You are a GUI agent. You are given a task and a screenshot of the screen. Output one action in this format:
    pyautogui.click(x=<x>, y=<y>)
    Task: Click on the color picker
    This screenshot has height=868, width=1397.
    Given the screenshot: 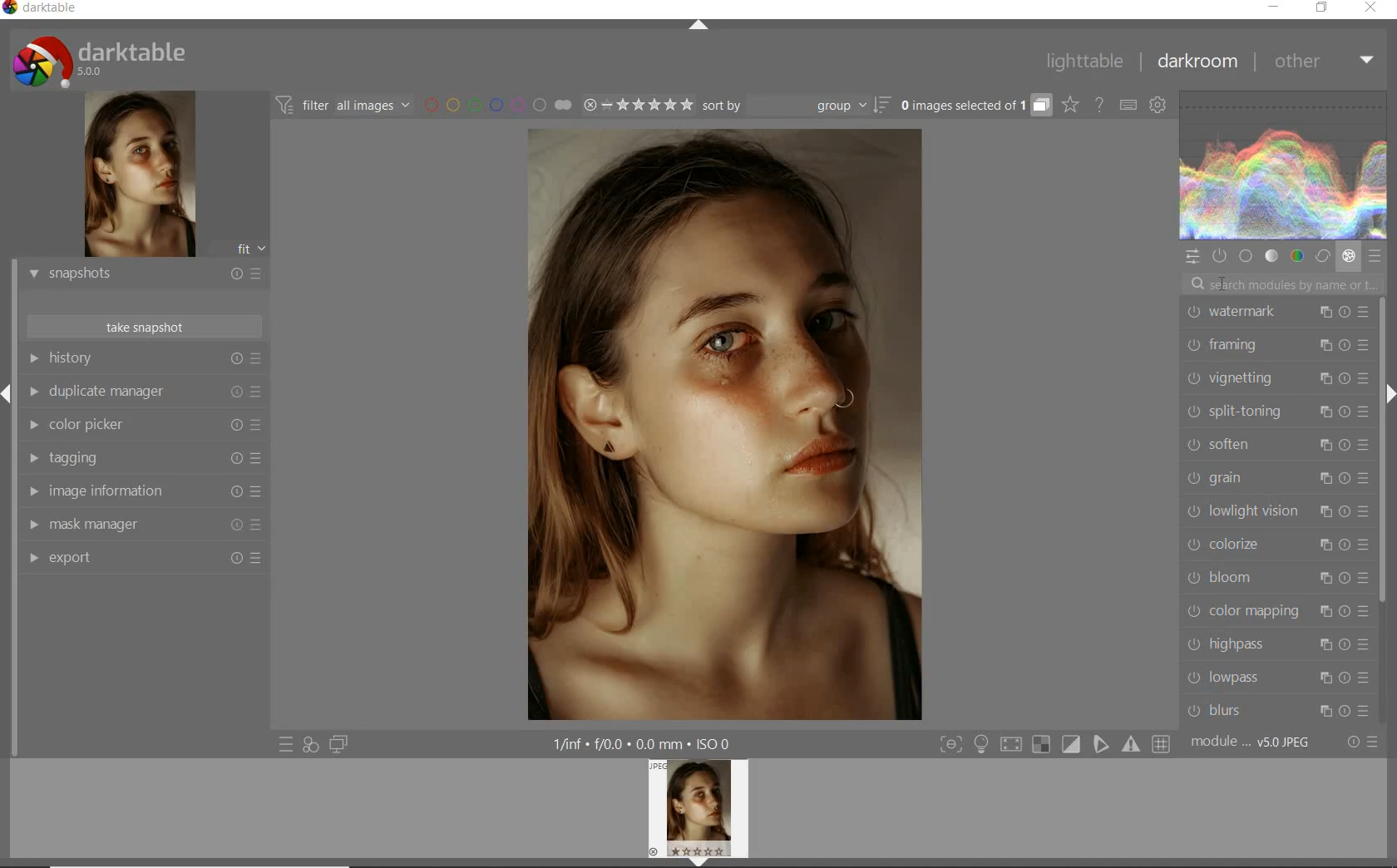 What is the action you would take?
    pyautogui.click(x=143, y=426)
    